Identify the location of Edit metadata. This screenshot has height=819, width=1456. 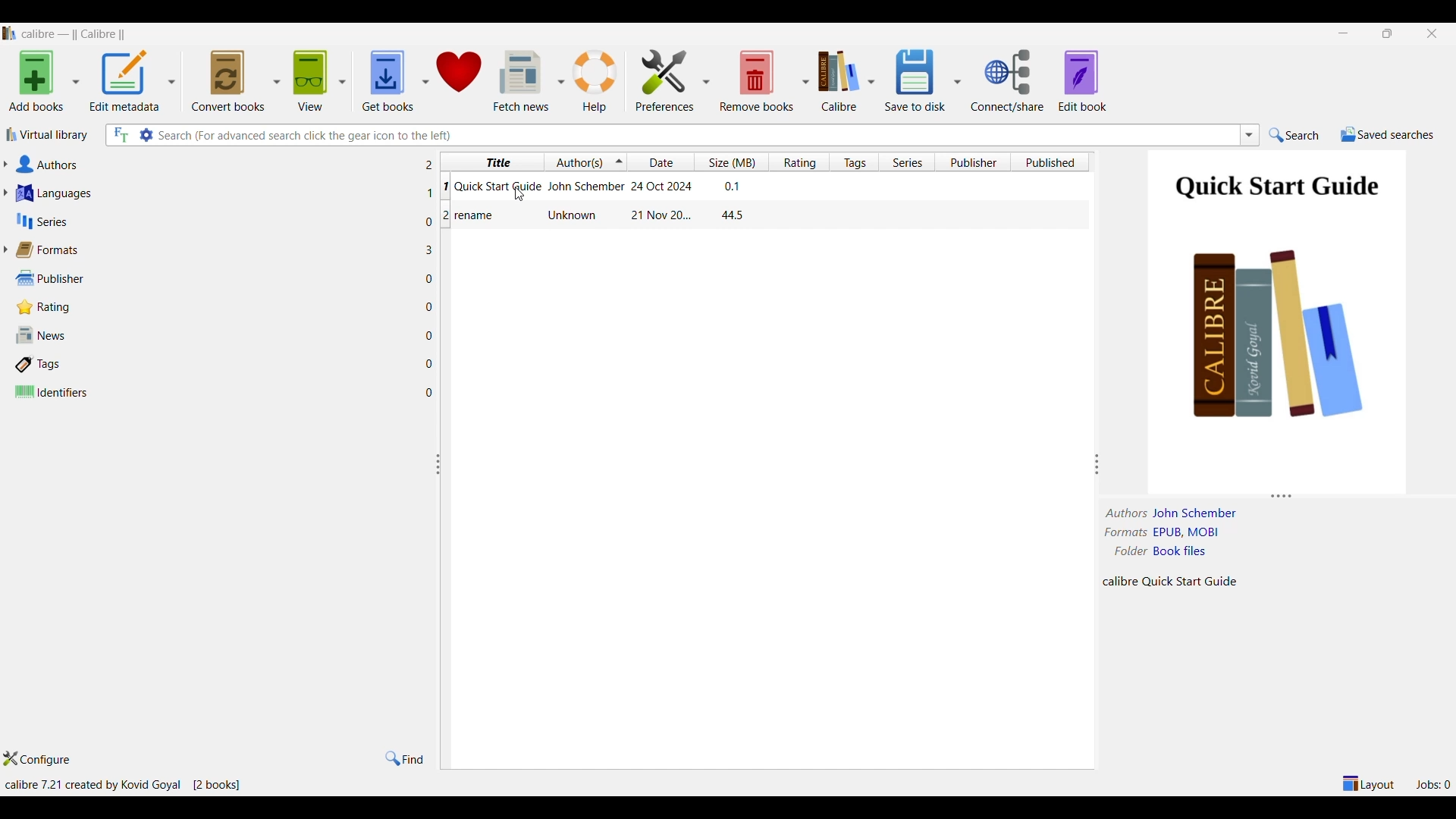
(125, 81).